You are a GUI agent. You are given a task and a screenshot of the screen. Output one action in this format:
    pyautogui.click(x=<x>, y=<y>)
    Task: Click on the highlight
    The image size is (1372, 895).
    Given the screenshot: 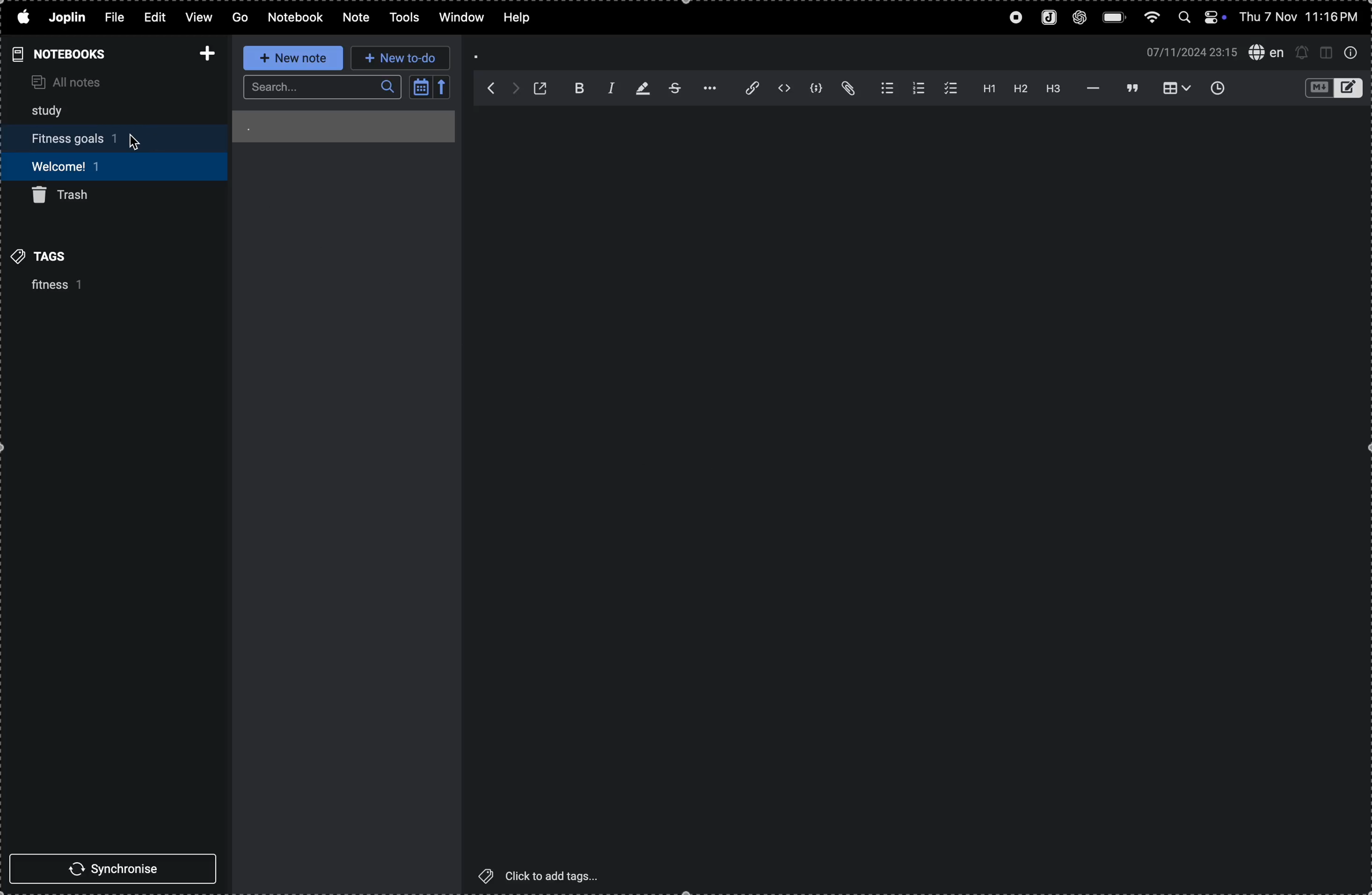 What is the action you would take?
    pyautogui.click(x=638, y=89)
    